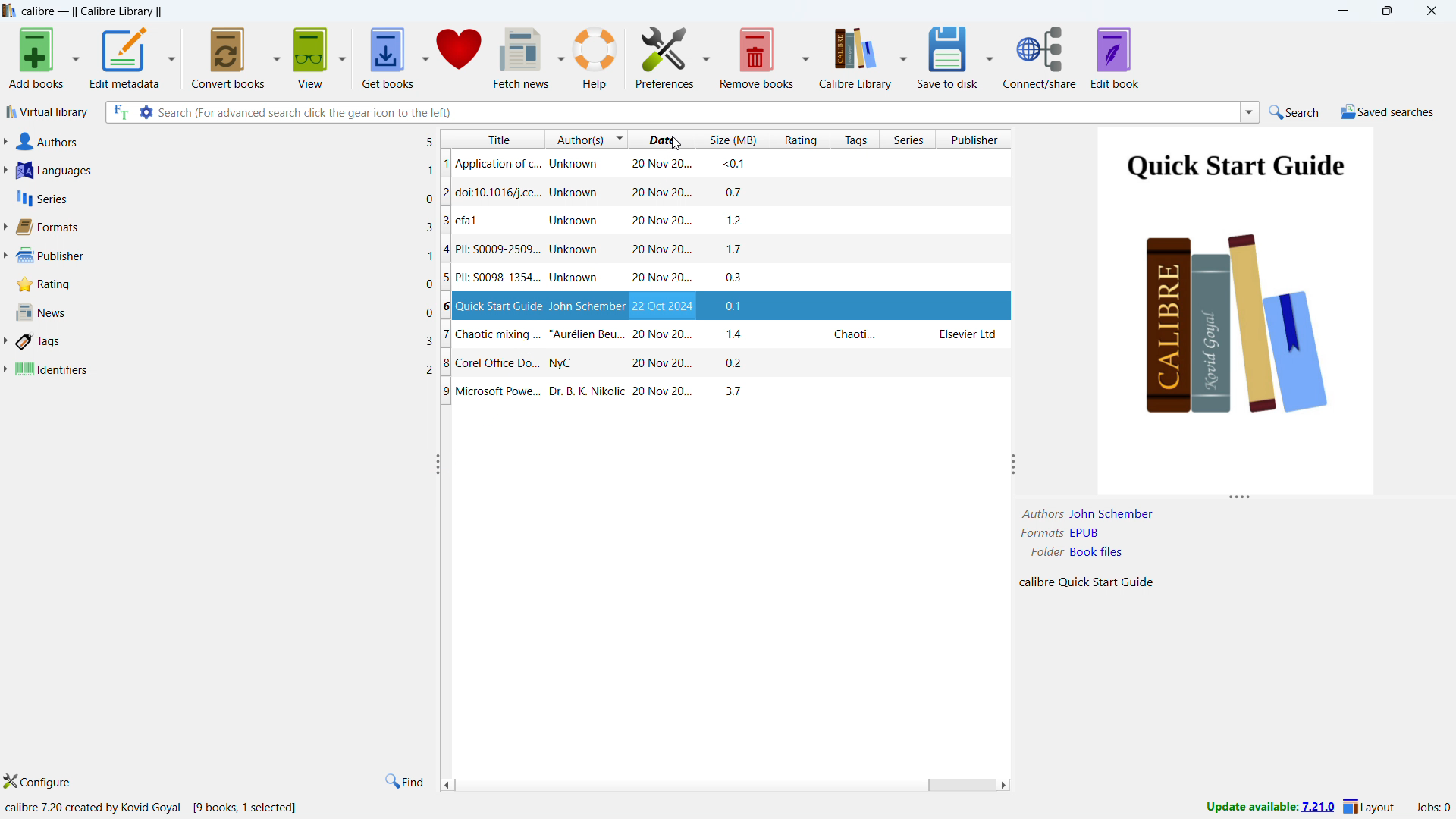 The height and width of the screenshot is (819, 1456). What do you see at coordinates (39, 782) in the screenshot?
I see `configure` at bounding box center [39, 782].